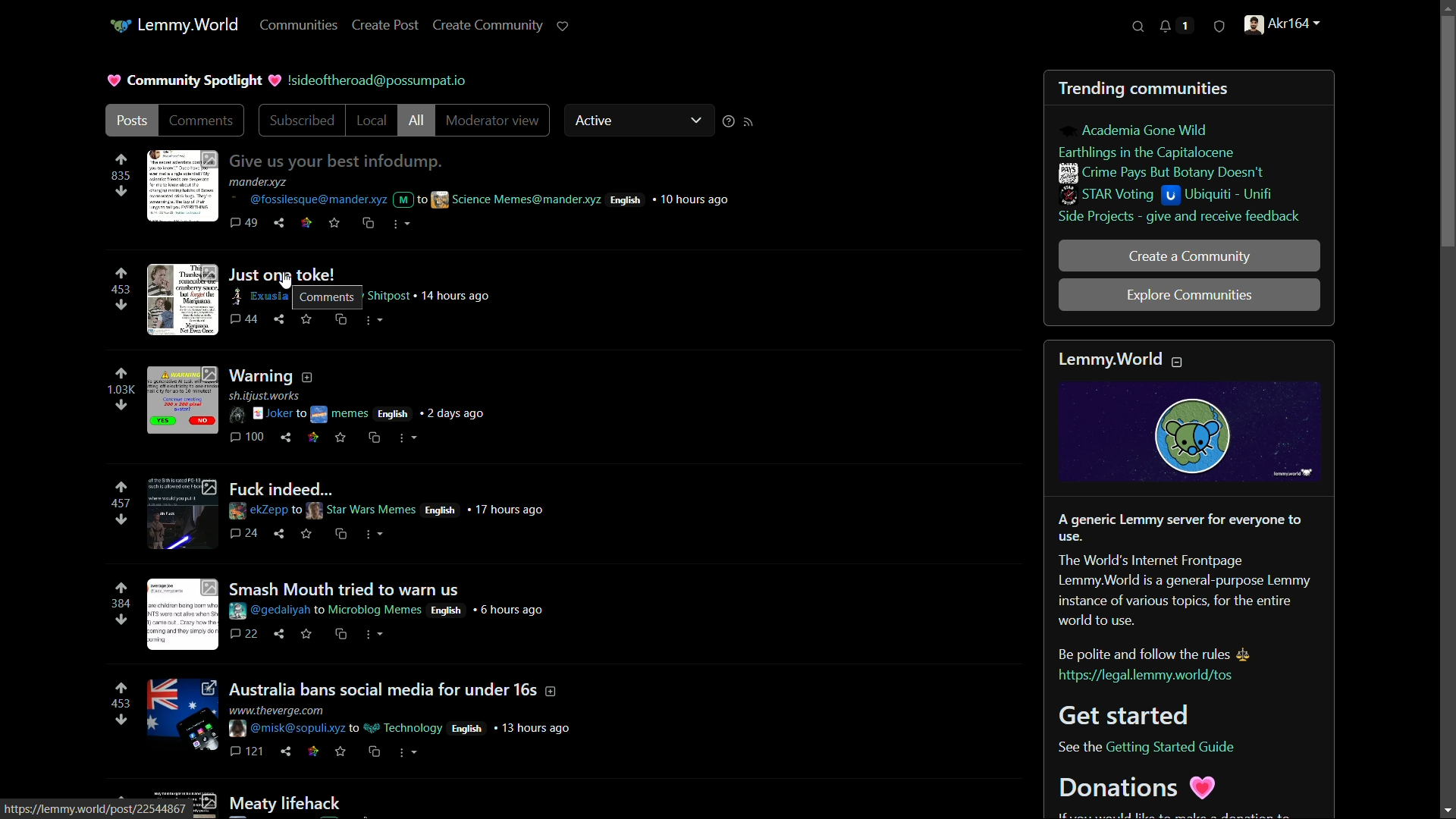  Describe the element at coordinates (628, 199) in the screenshot. I see `English` at that location.